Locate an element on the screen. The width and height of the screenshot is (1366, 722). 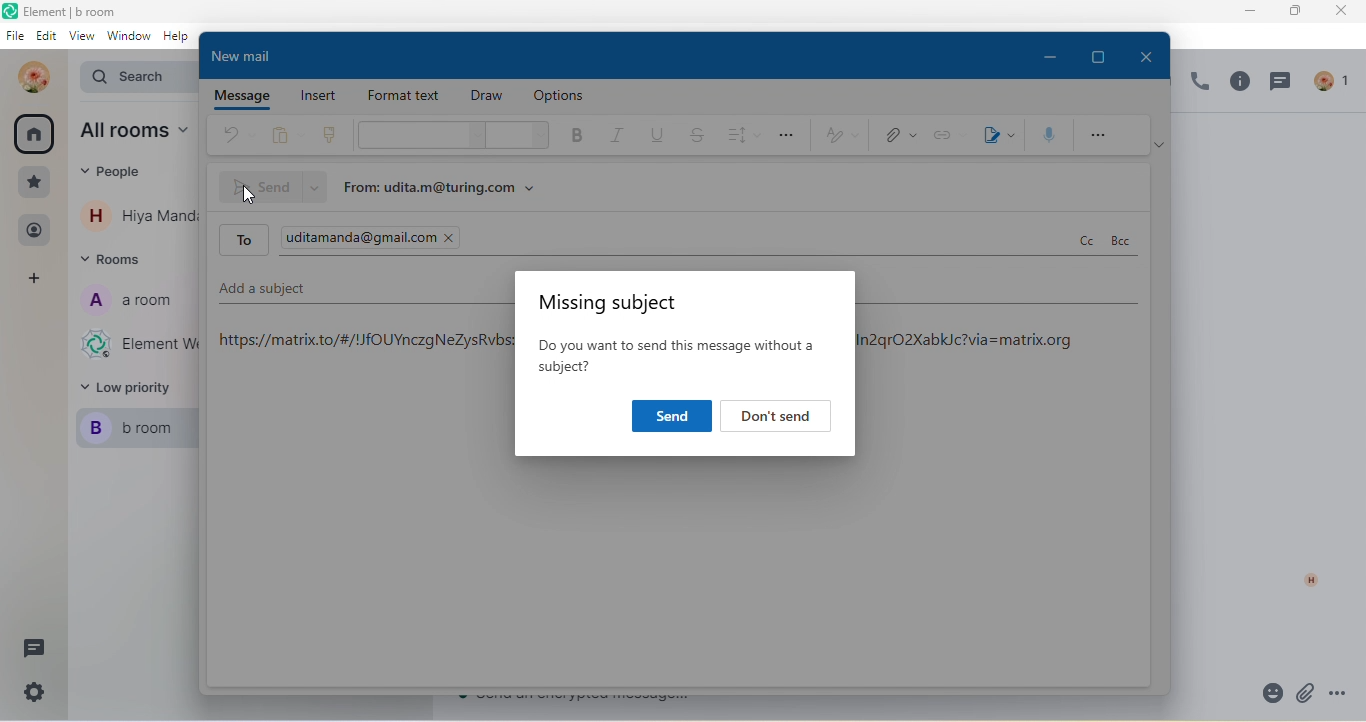
link is located at coordinates (946, 137).